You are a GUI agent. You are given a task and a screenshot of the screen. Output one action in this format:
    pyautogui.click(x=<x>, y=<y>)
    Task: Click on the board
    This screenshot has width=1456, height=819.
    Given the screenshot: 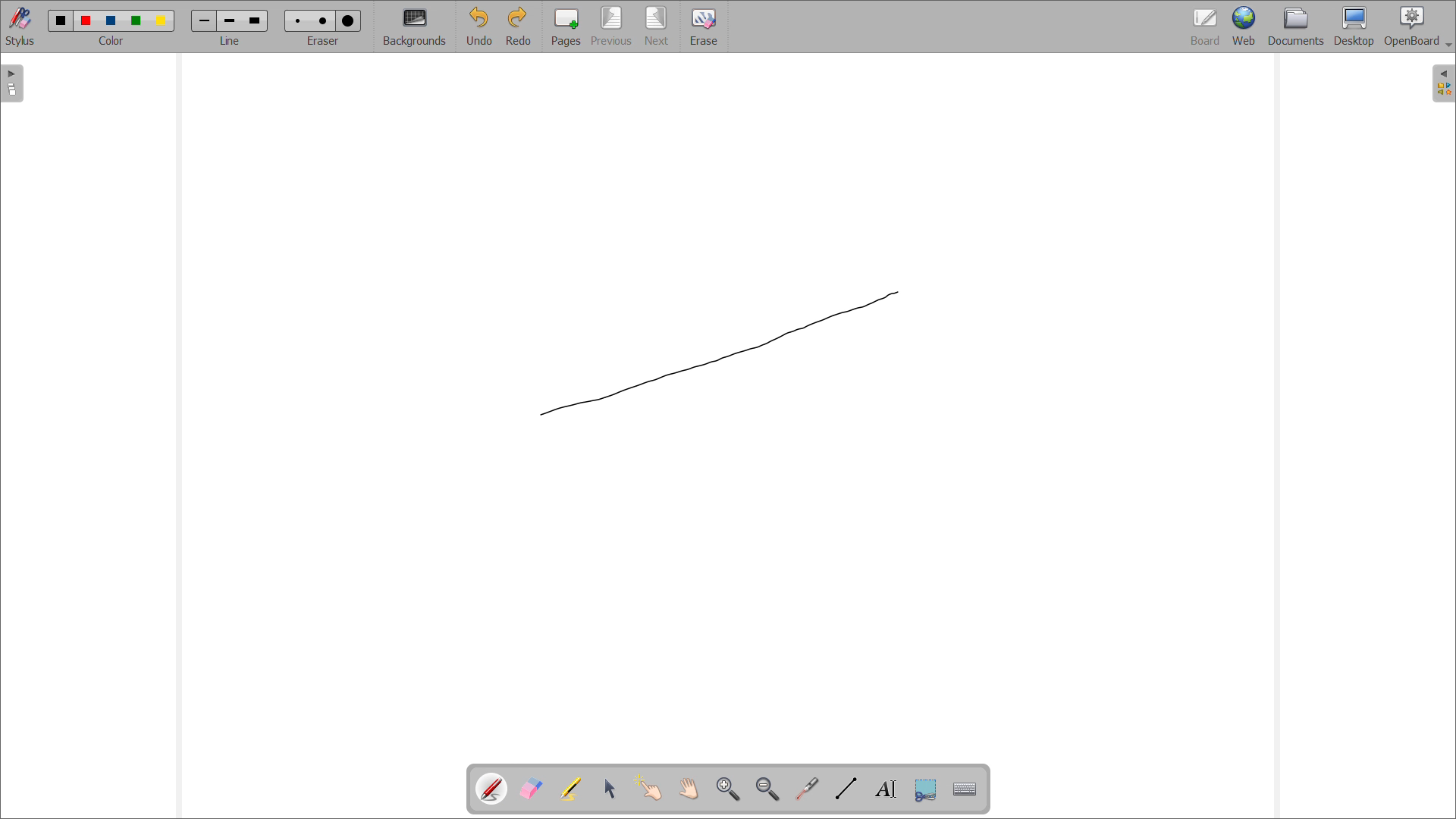 What is the action you would take?
    pyautogui.click(x=1204, y=27)
    